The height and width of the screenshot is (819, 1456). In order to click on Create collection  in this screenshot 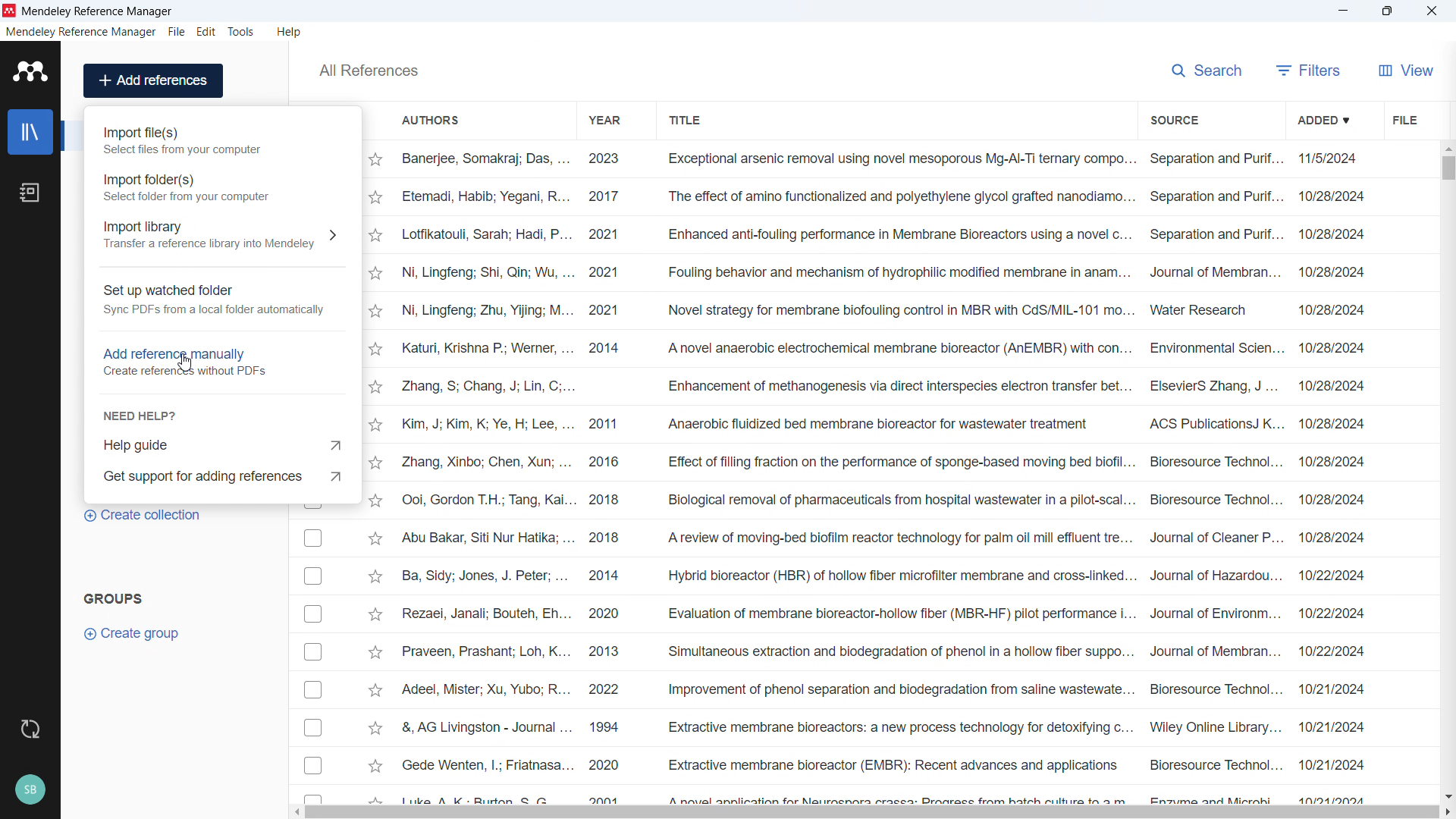, I will do `click(144, 516)`.